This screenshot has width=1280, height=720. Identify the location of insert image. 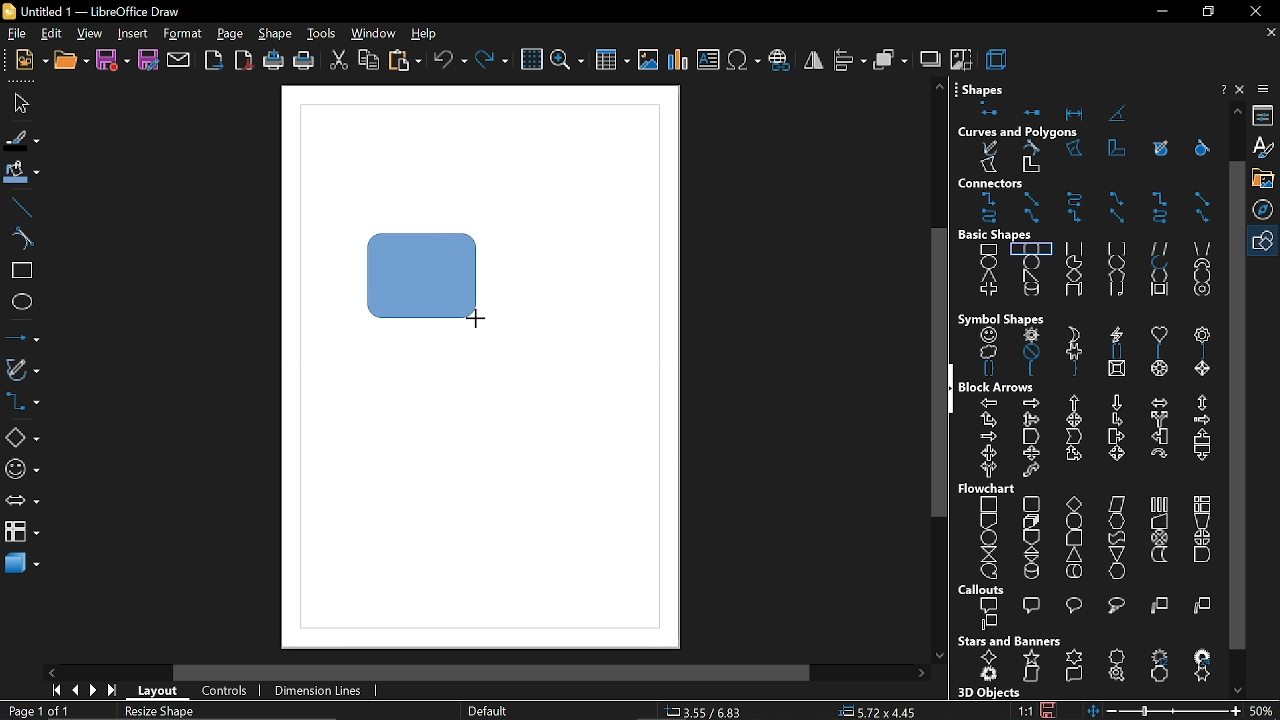
(648, 61).